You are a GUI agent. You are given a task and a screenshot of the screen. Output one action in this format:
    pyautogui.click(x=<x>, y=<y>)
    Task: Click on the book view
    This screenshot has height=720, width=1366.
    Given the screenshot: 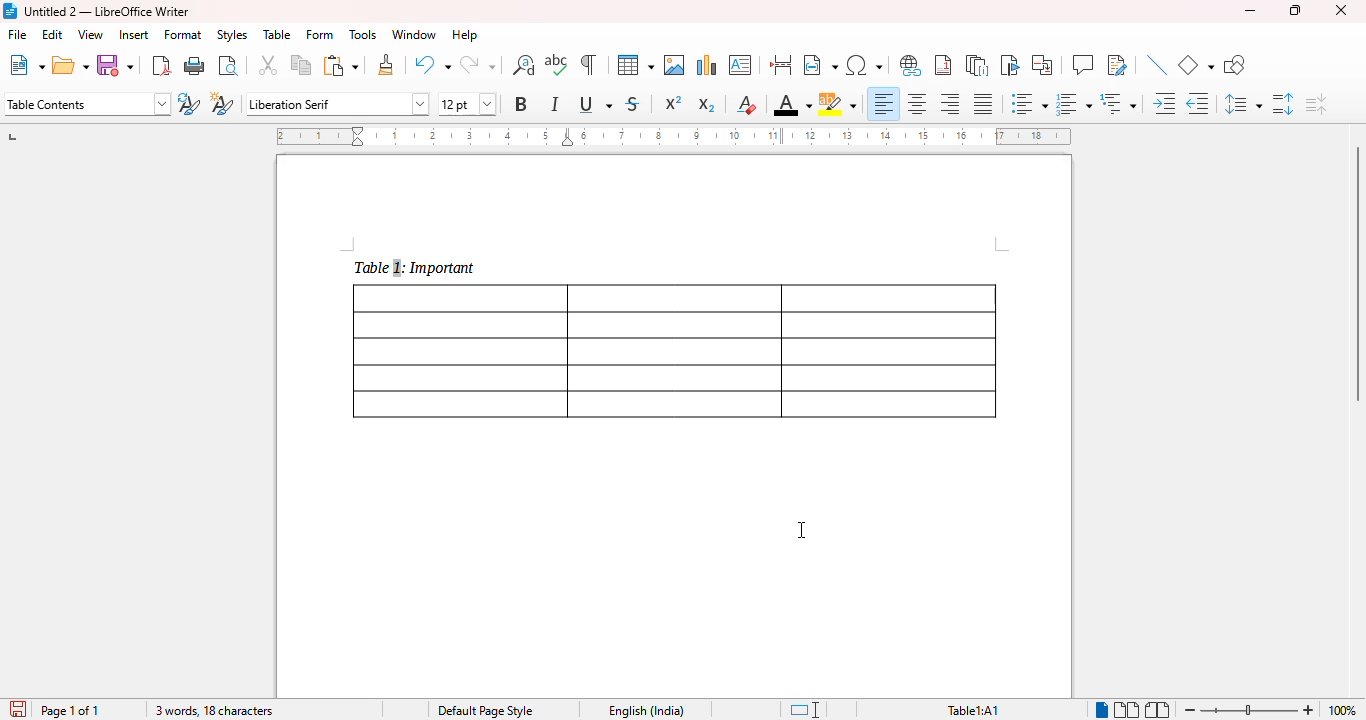 What is the action you would take?
    pyautogui.click(x=1158, y=710)
    